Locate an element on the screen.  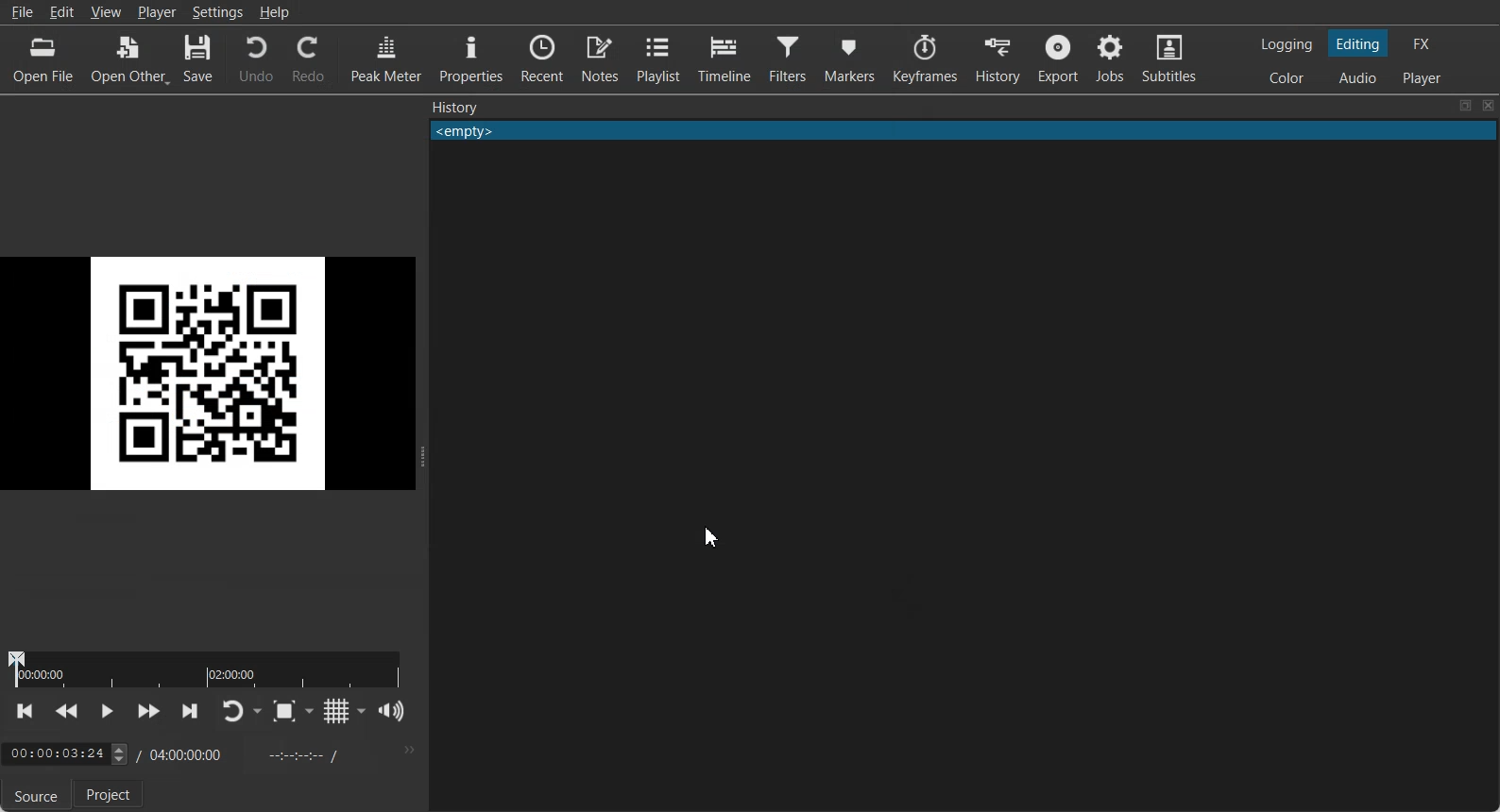
Source is located at coordinates (33, 798).